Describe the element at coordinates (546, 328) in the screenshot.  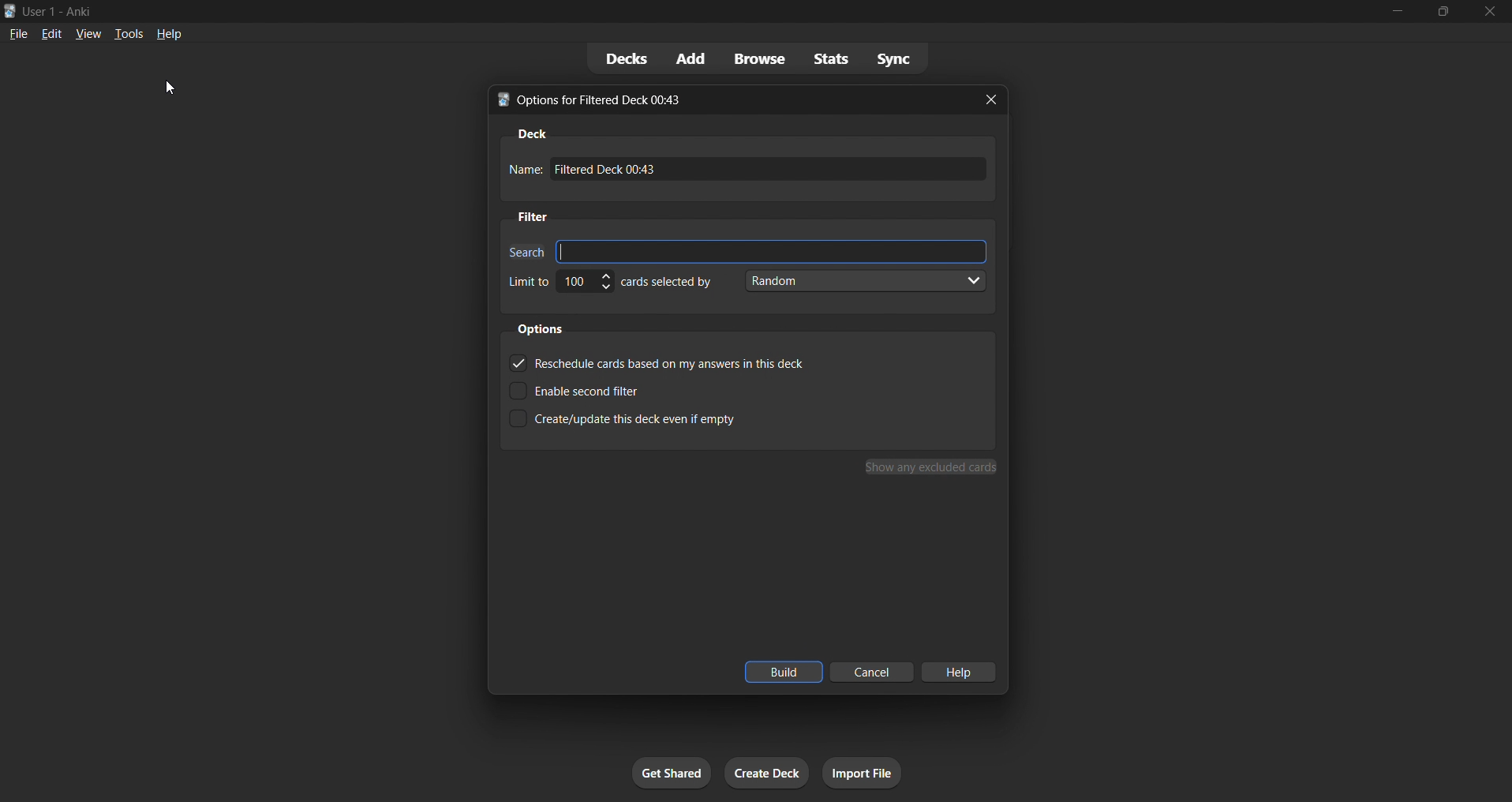
I see `Options` at that location.